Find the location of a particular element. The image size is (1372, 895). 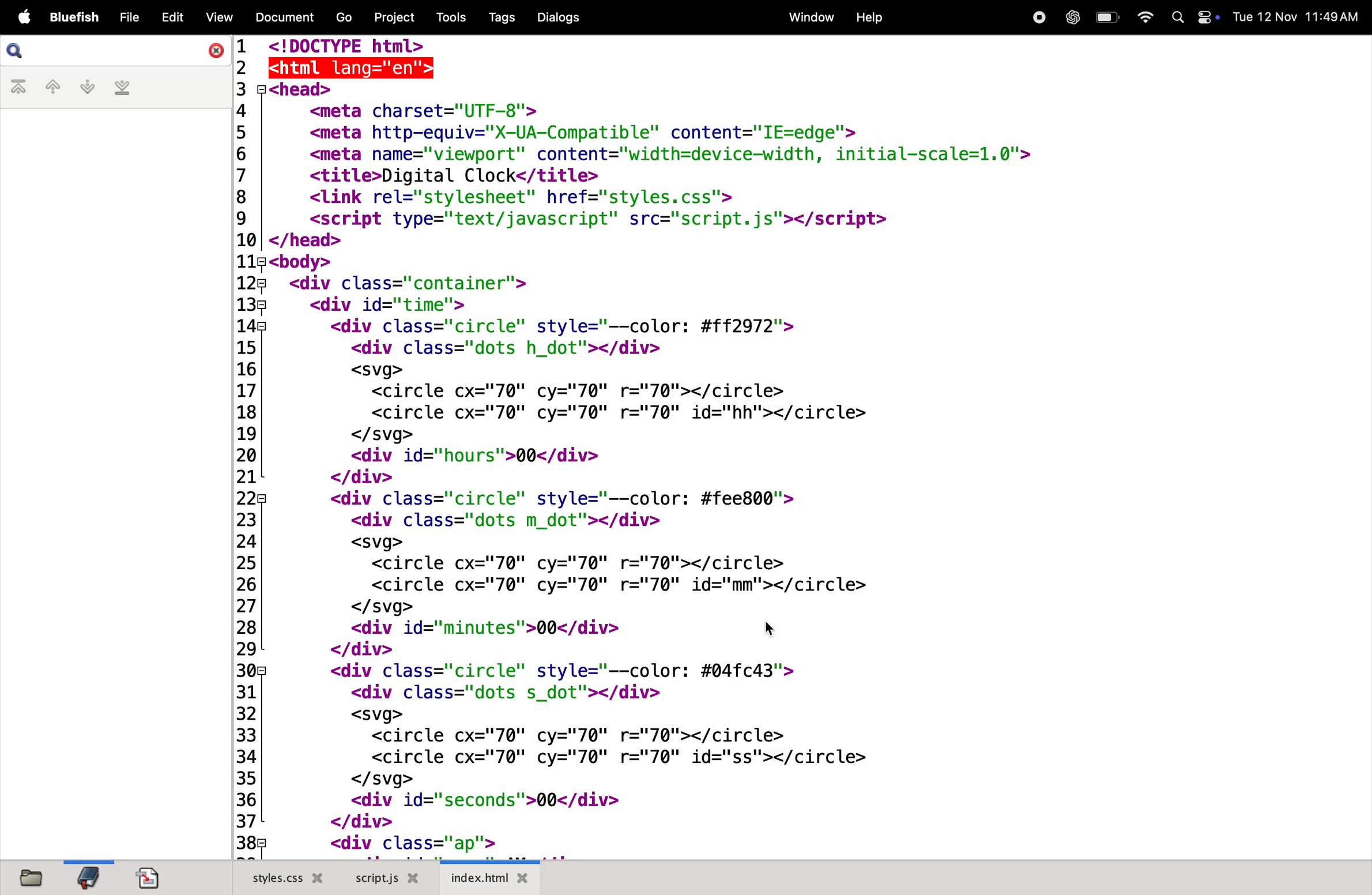

import doc is located at coordinates (148, 877).